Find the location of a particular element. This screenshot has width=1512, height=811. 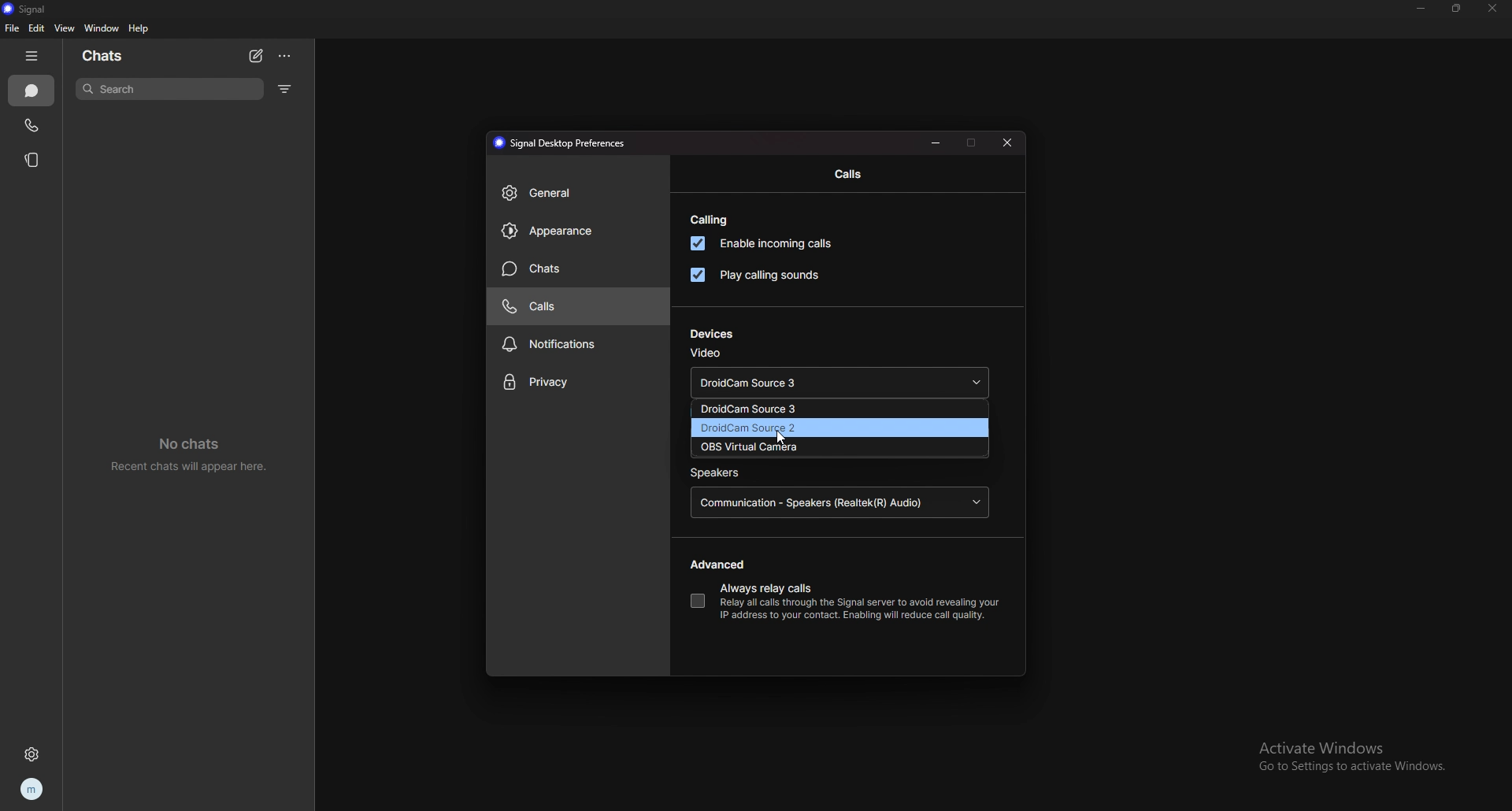

signal is located at coordinates (32, 9).